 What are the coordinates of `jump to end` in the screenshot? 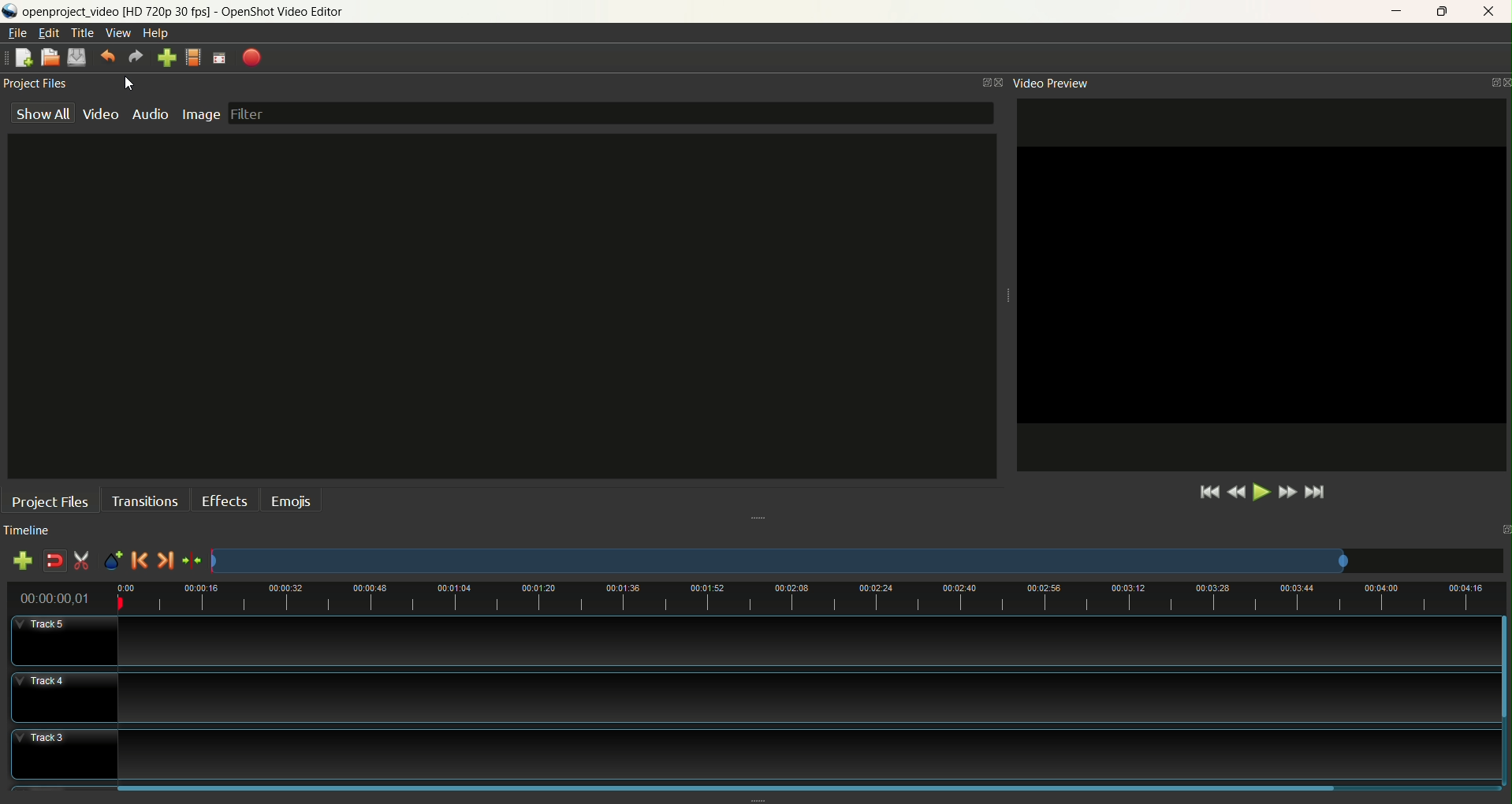 It's located at (1318, 493).